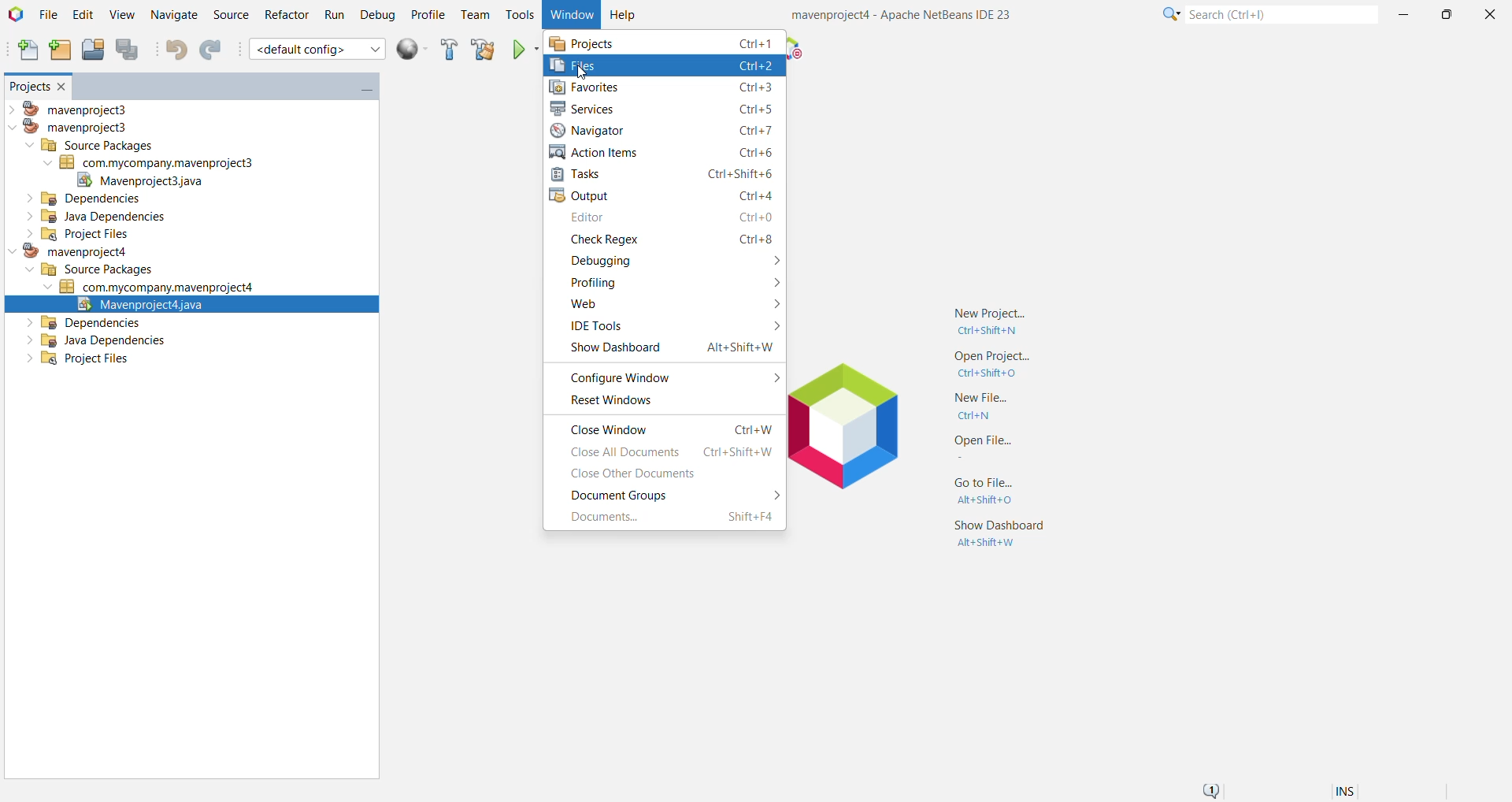  Describe the element at coordinates (85, 323) in the screenshot. I see `Dependencies` at that location.